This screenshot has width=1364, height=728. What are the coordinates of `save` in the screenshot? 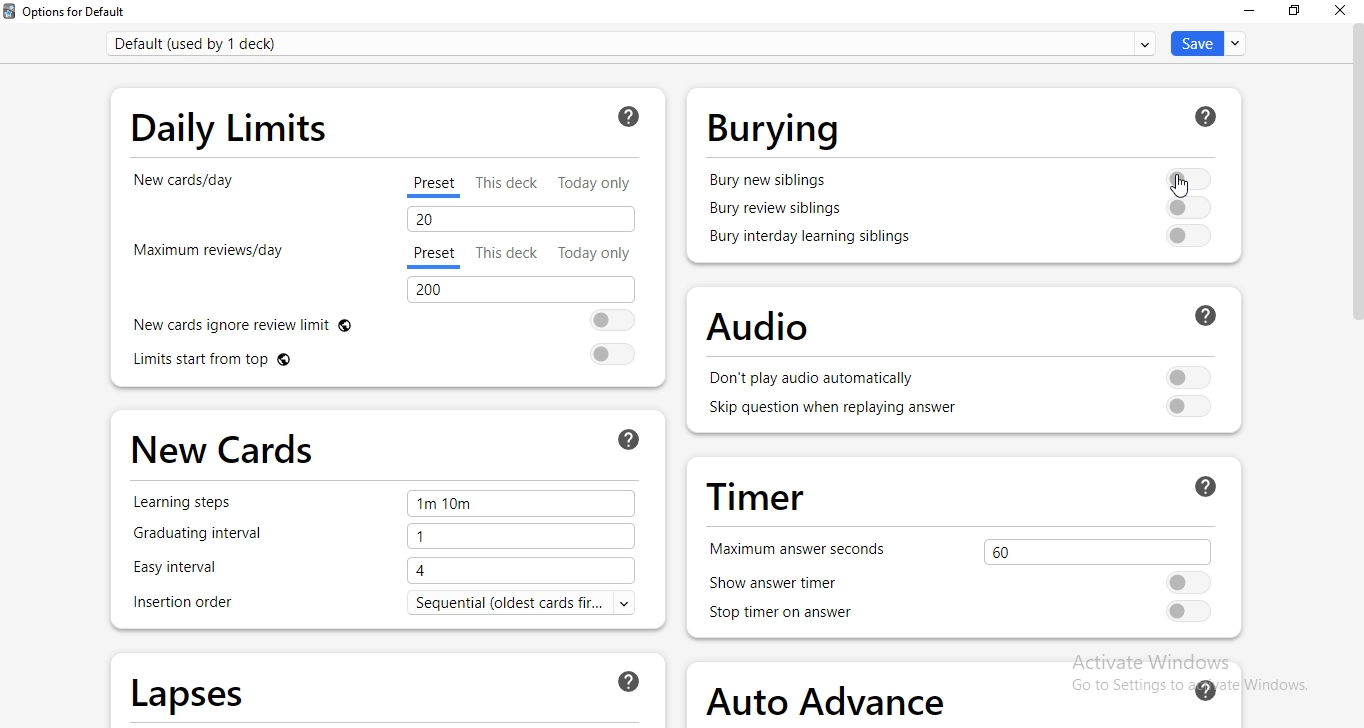 It's located at (1205, 43).